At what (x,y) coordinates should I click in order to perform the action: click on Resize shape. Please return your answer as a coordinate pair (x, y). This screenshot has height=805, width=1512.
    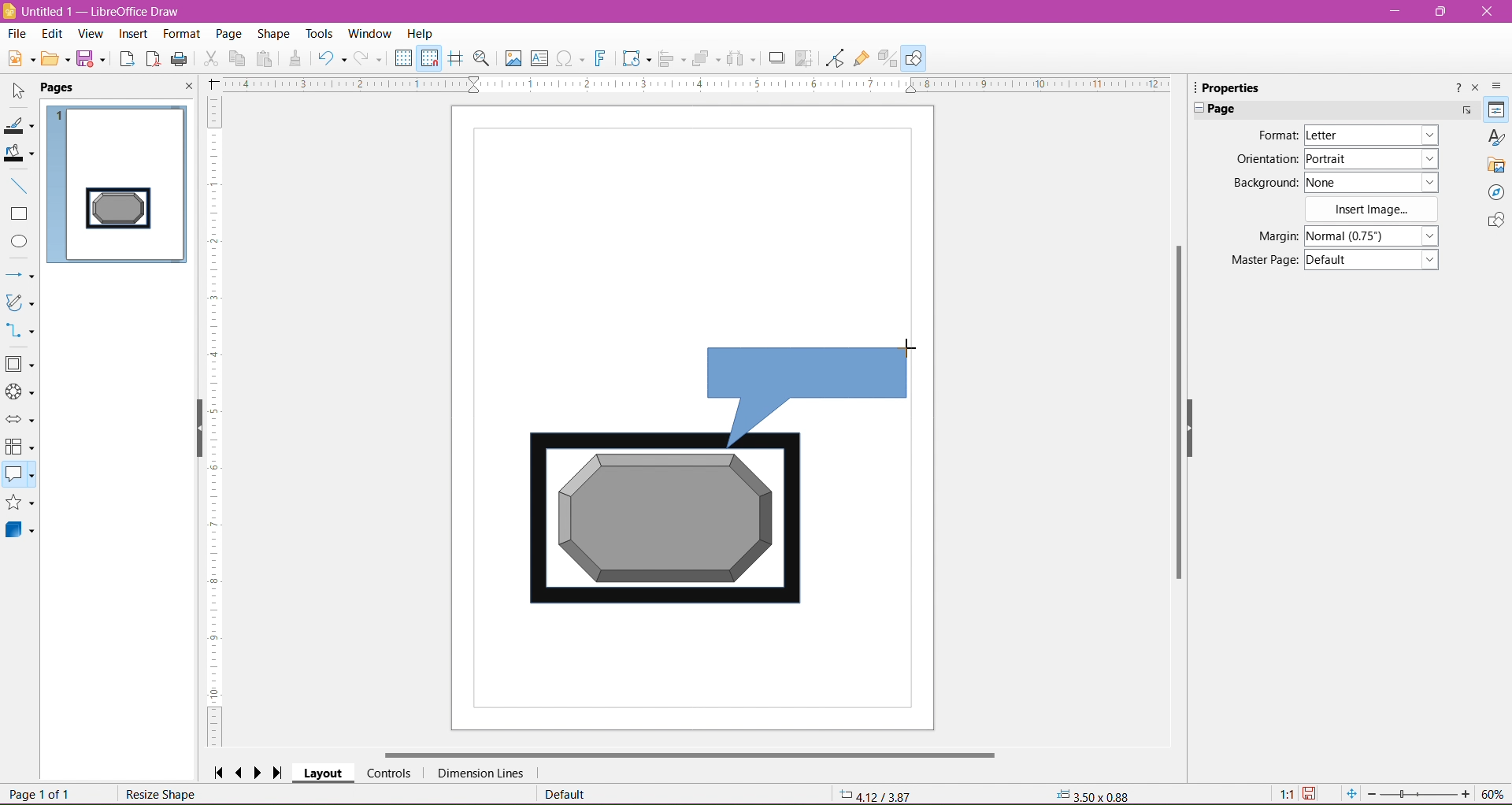
    Looking at the image, I should click on (162, 795).